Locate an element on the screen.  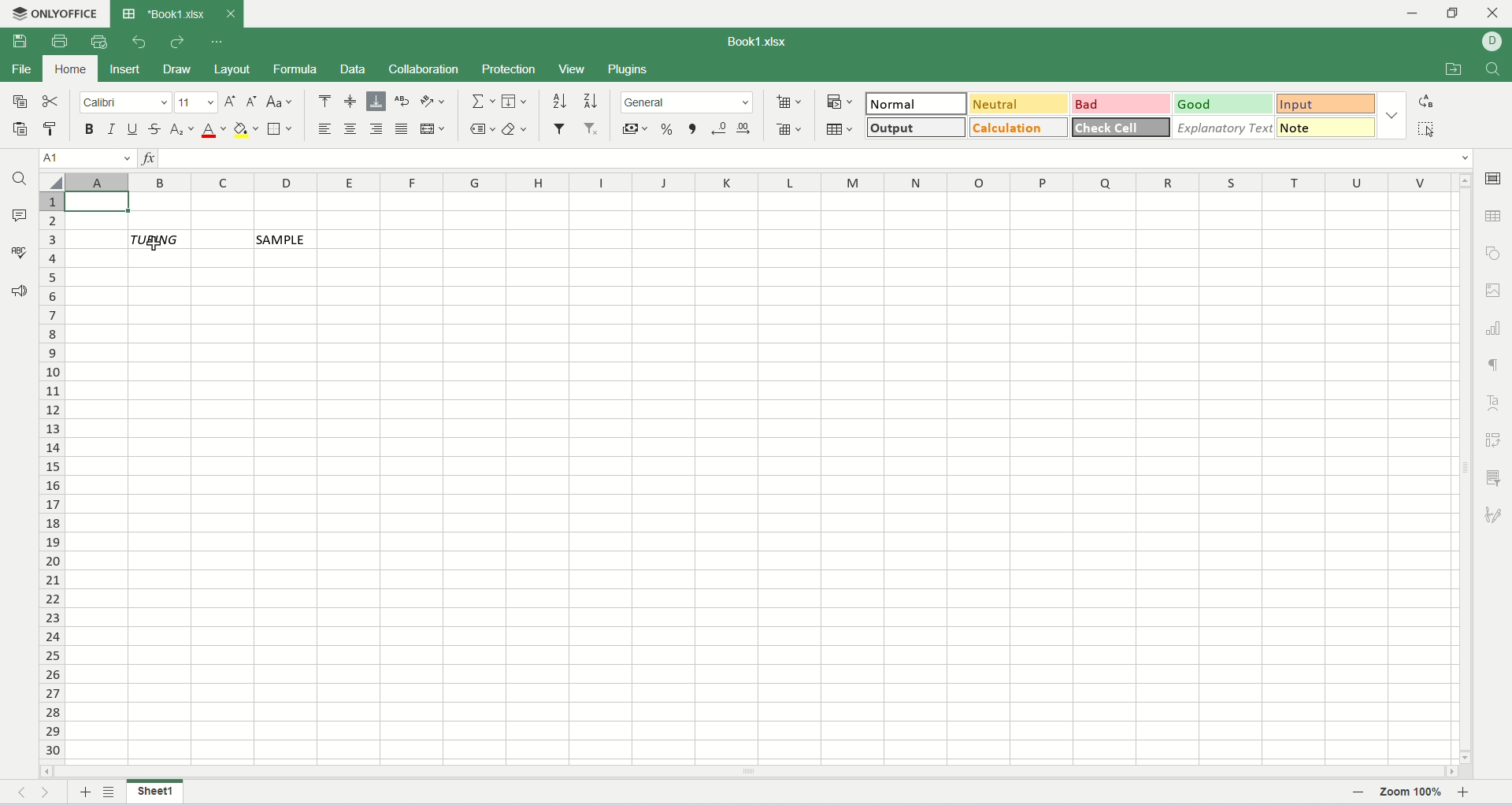
zoom percent is located at coordinates (1412, 795).